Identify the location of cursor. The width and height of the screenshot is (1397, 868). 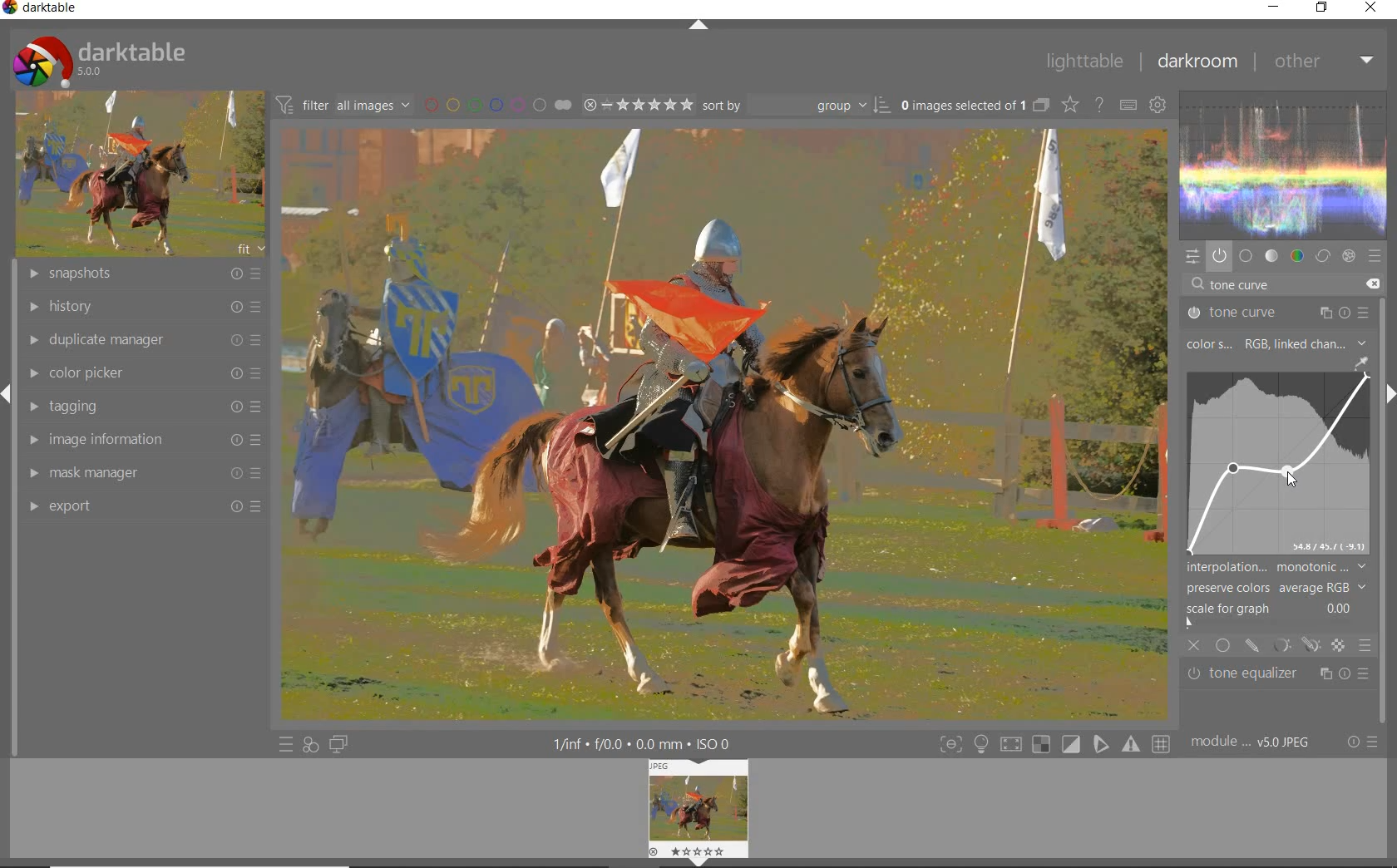
(1288, 478).